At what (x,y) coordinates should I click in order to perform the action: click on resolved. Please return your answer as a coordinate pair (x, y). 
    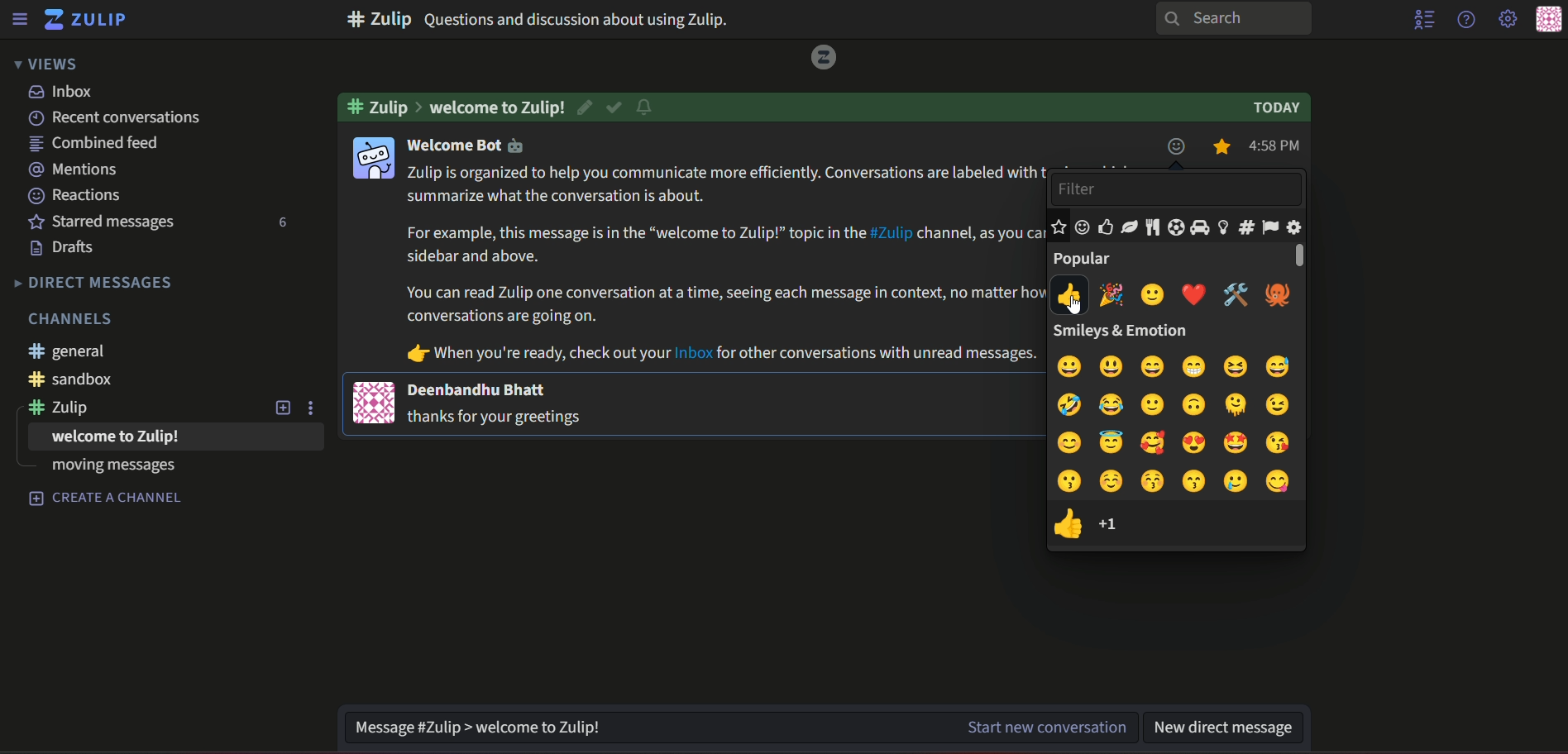
    Looking at the image, I should click on (614, 106).